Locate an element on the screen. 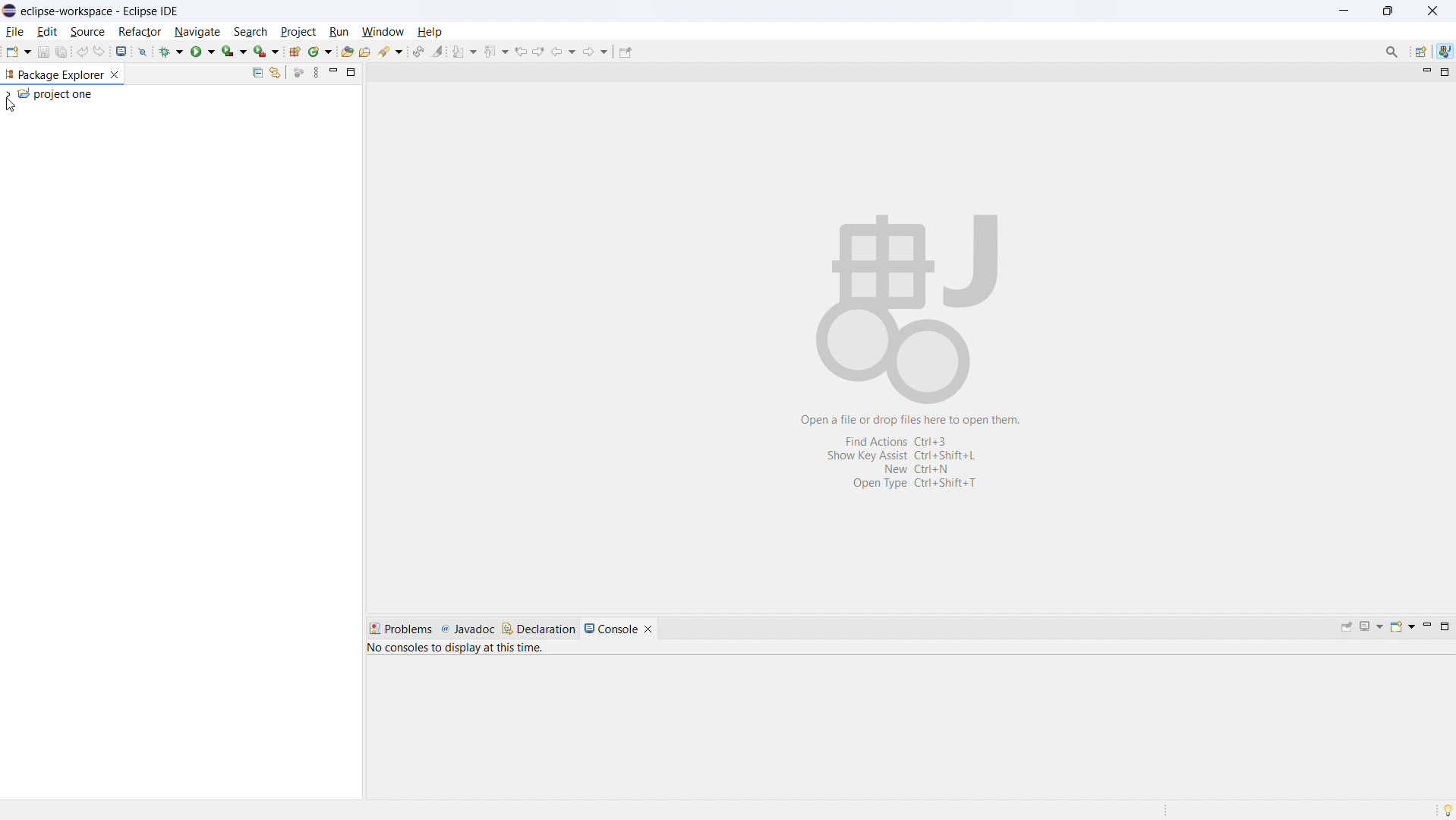  close is located at coordinates (118, 74).